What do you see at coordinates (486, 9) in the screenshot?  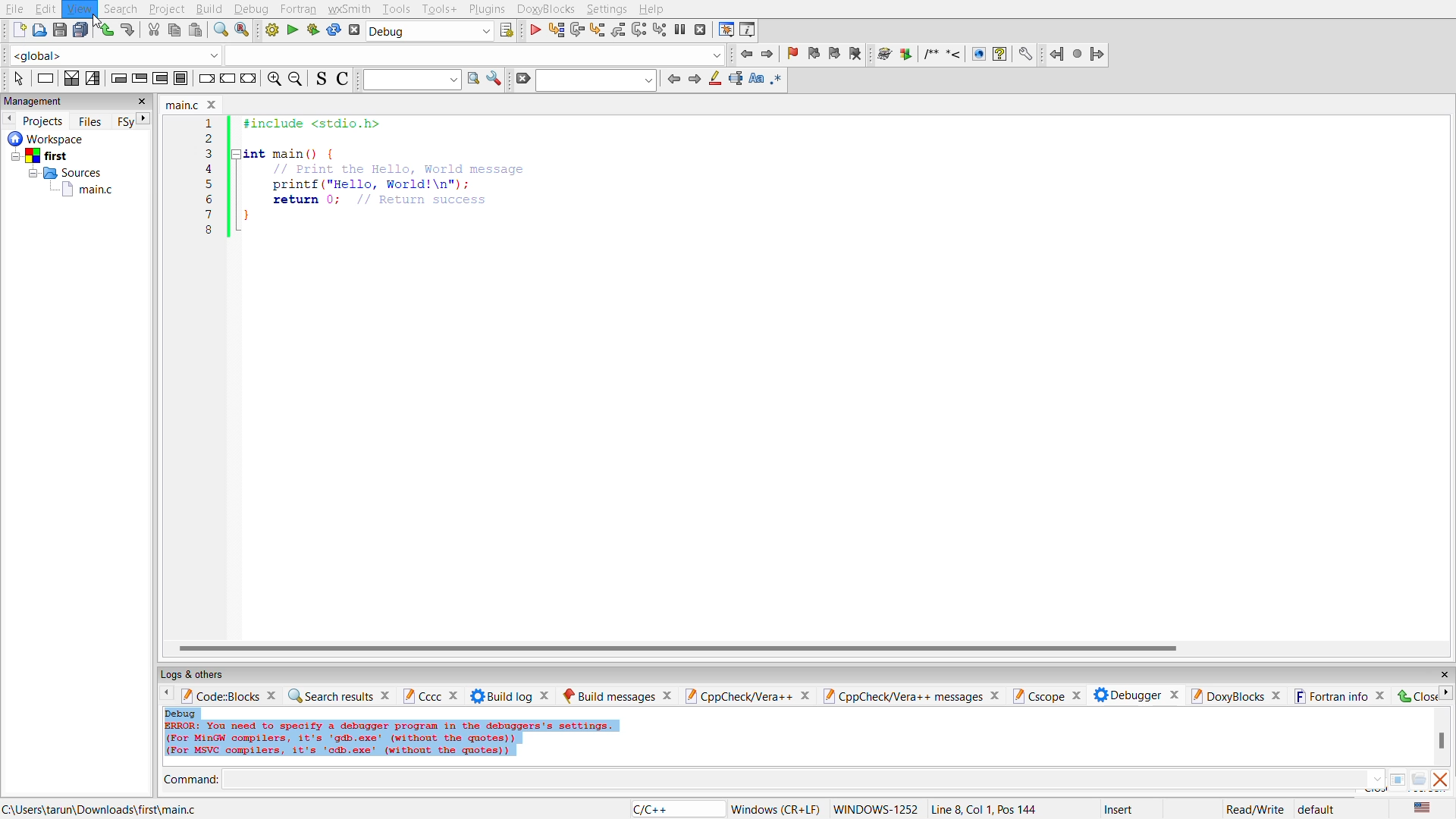 I see `plugins` at bounding box center [486, 9].